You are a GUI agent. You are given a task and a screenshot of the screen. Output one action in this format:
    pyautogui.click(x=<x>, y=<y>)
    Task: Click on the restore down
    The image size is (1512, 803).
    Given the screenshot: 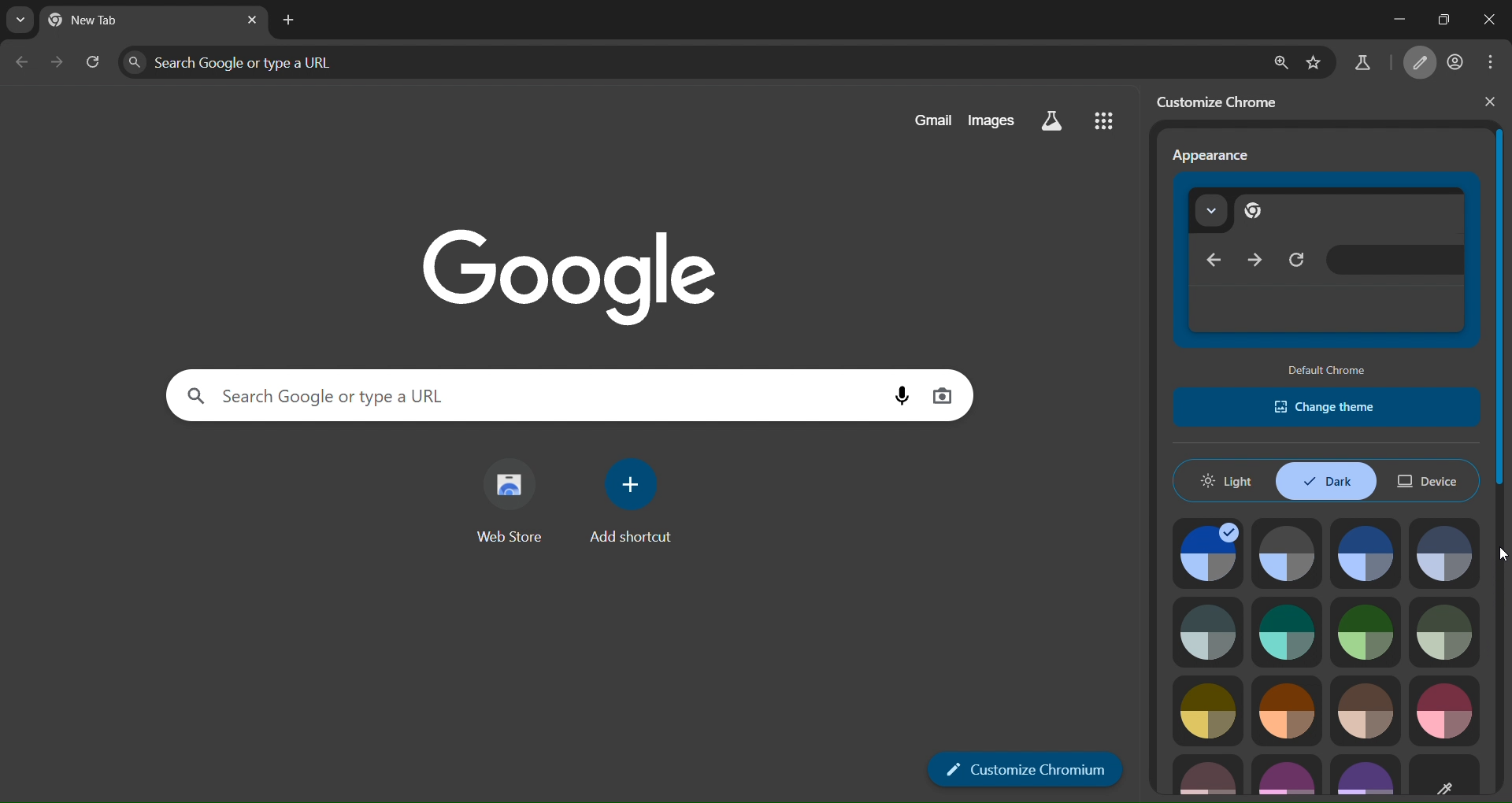 What is the action you would take?
    pyautogui.click(x=1437, y=18)
    